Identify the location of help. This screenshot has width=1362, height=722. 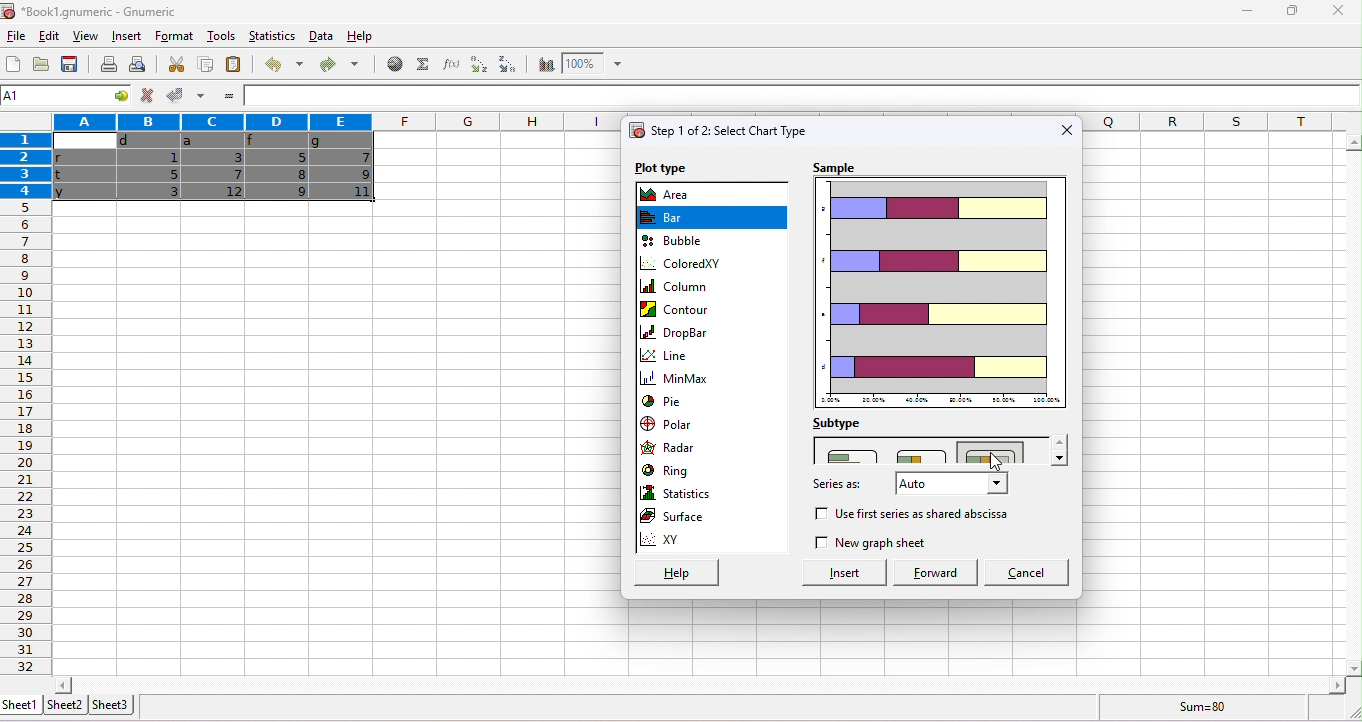
(674, 573).